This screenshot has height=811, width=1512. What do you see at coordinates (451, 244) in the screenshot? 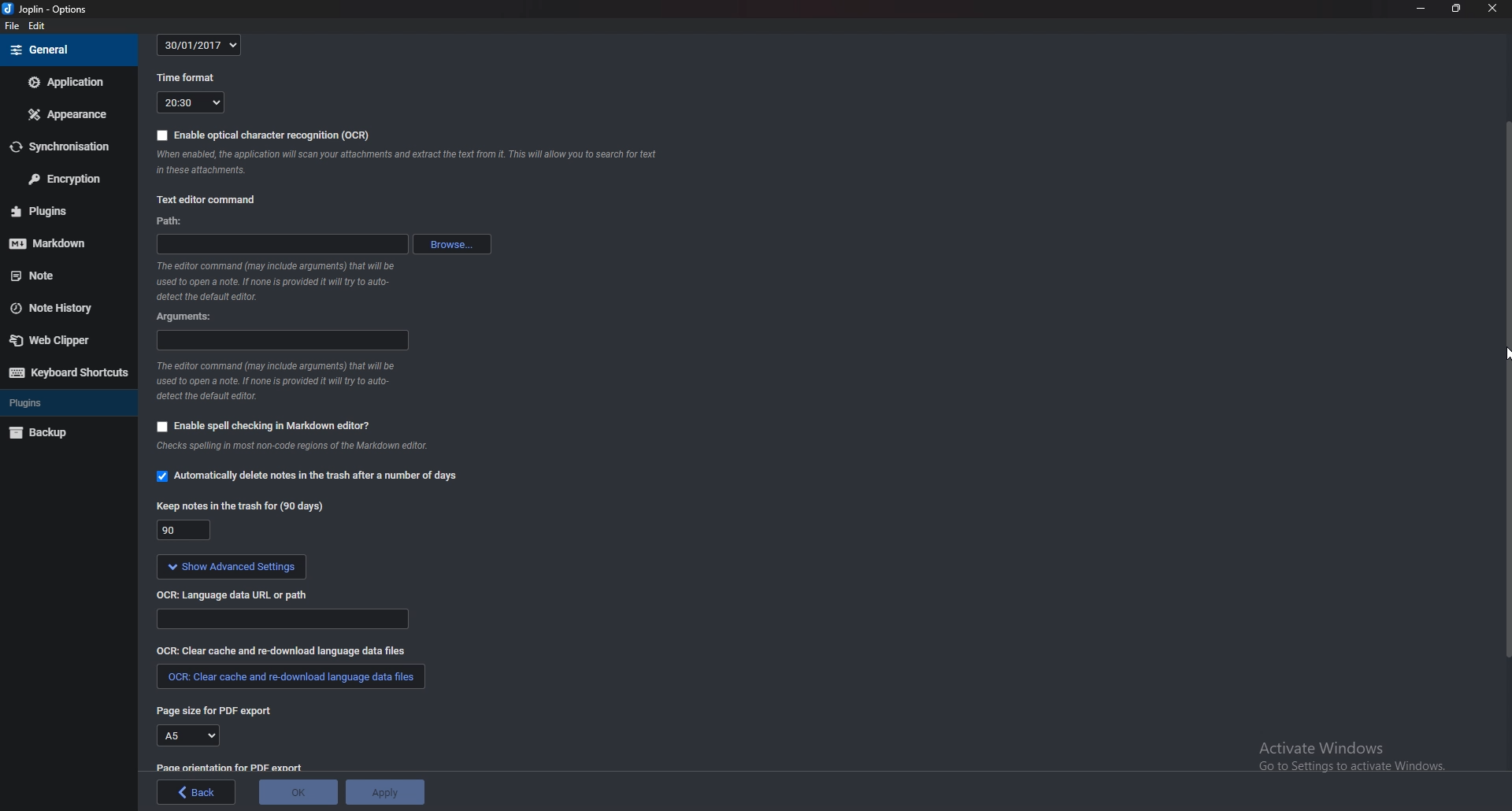
I see `browse` at bounding box center [451, 244].